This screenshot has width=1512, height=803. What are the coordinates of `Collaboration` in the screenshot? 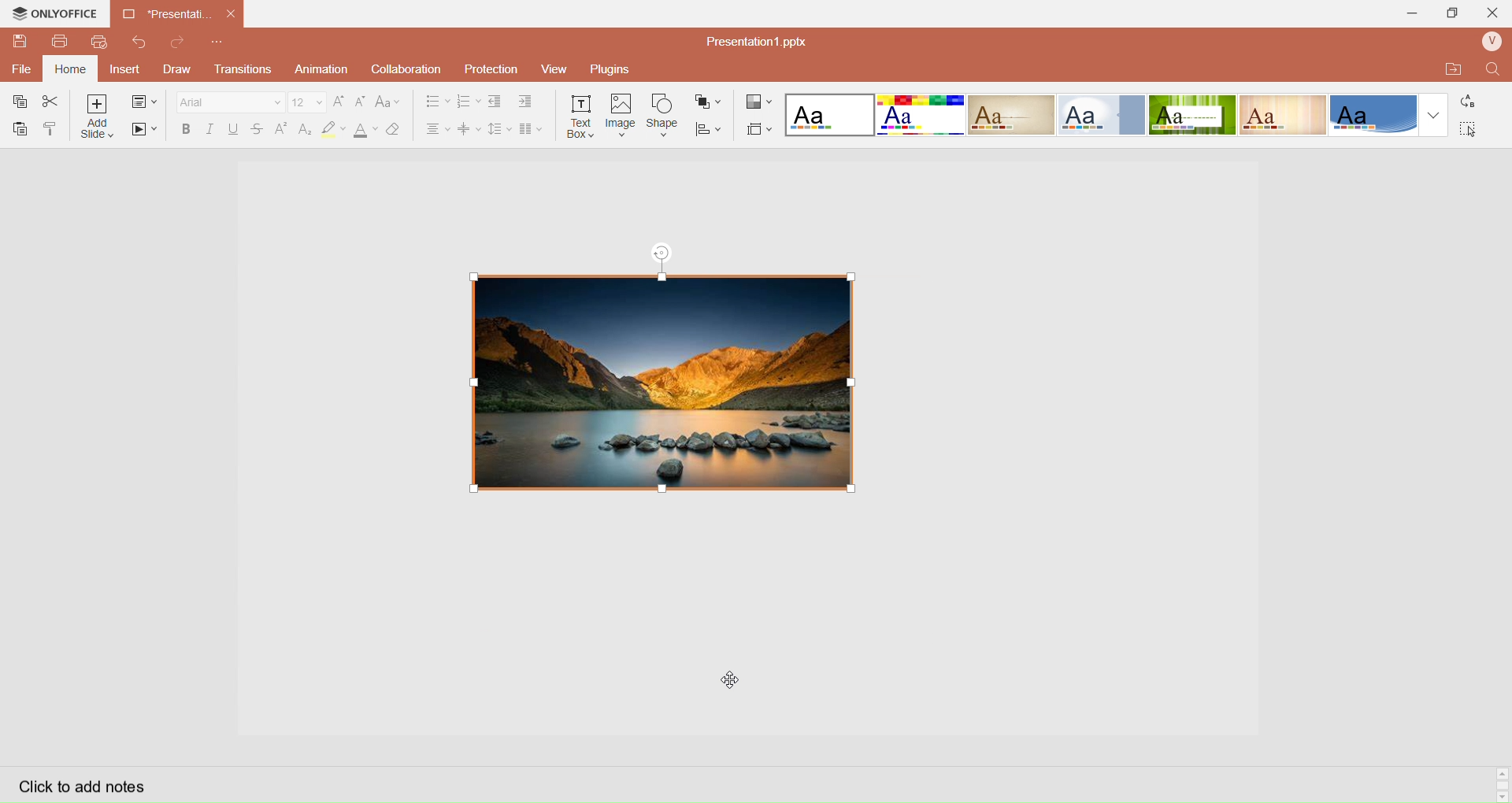 It's located at (408, 69).